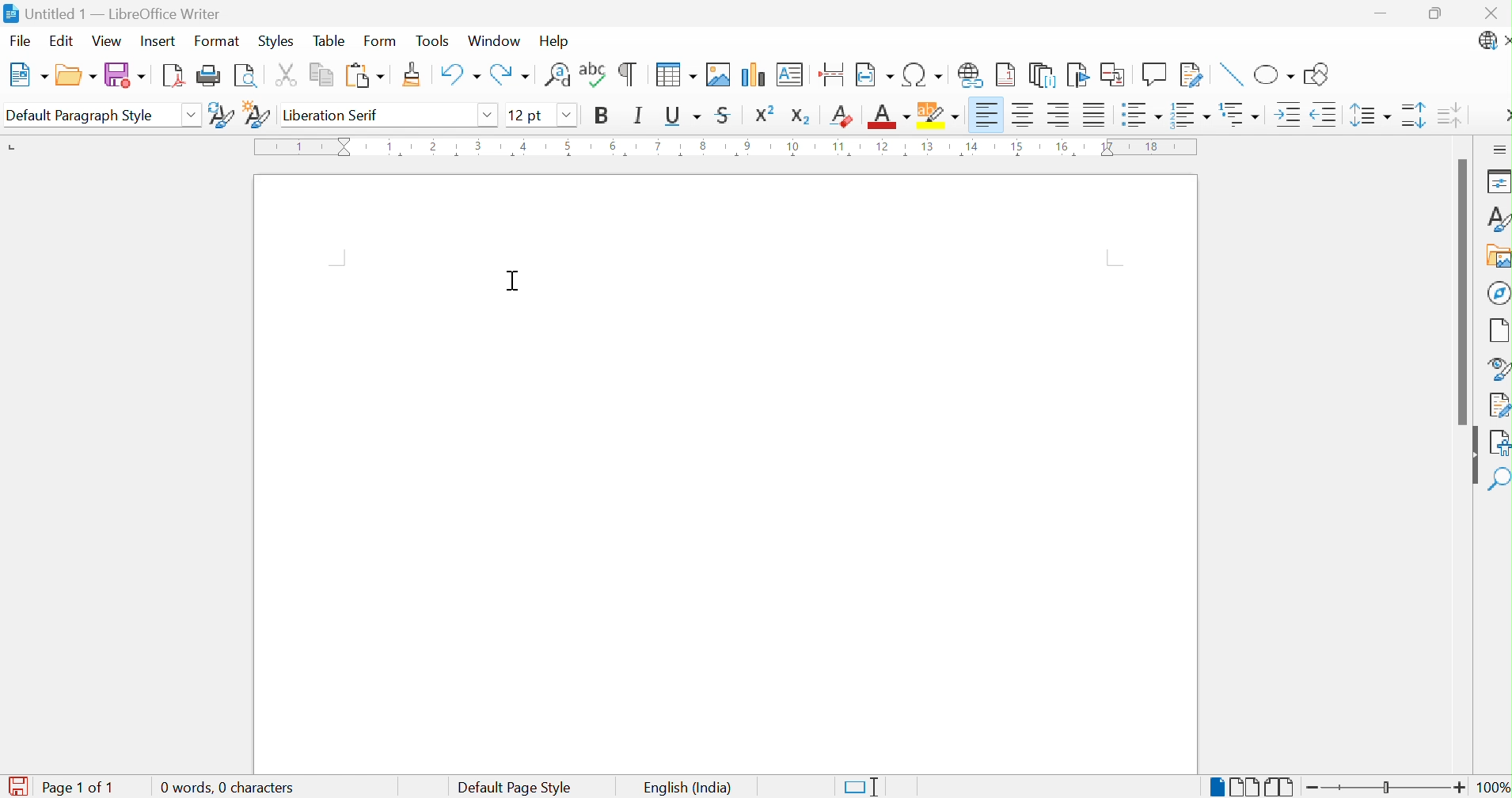 This screenshot has width=1512, height=798. What do you see at coordinates (674, 74) in the screenshot?
I see `Insert Table` at bounding box center [674, 74].